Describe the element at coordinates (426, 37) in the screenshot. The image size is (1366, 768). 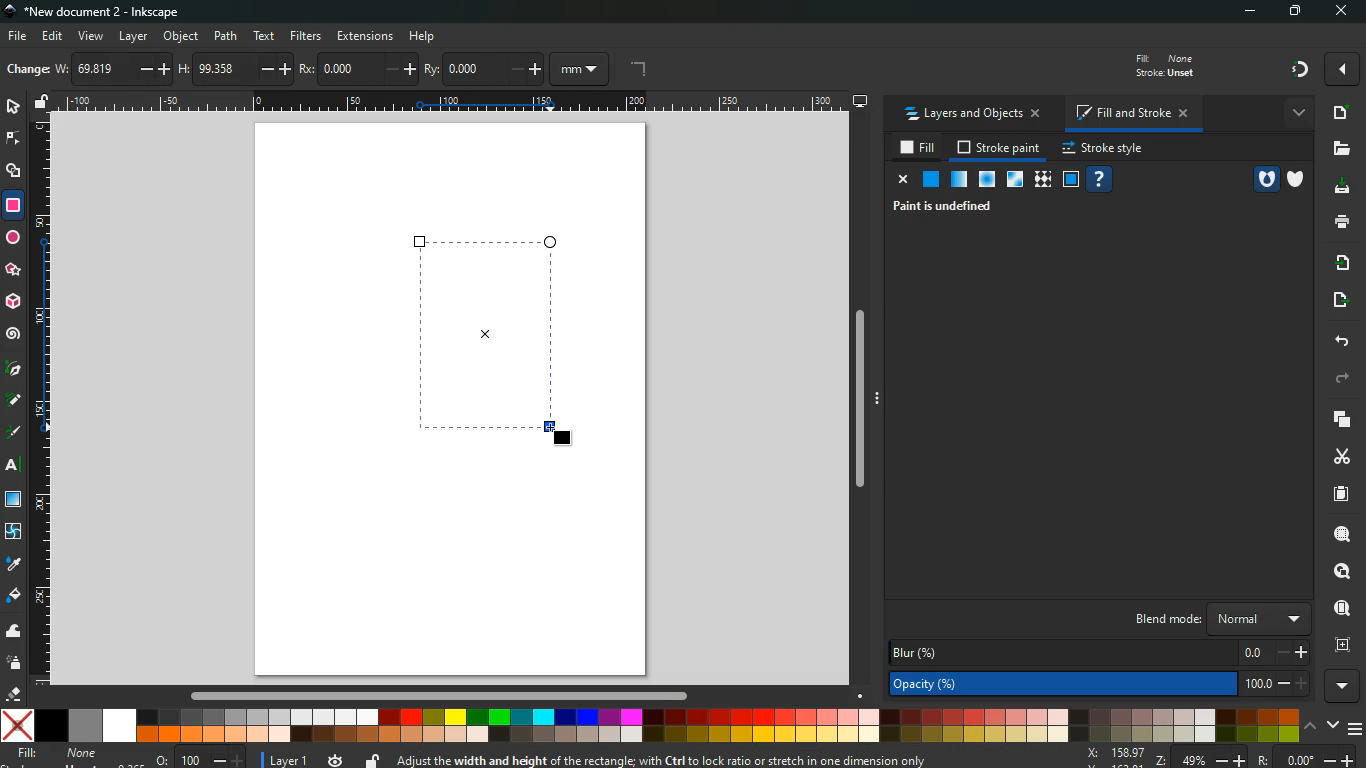
I see `help` at that location.